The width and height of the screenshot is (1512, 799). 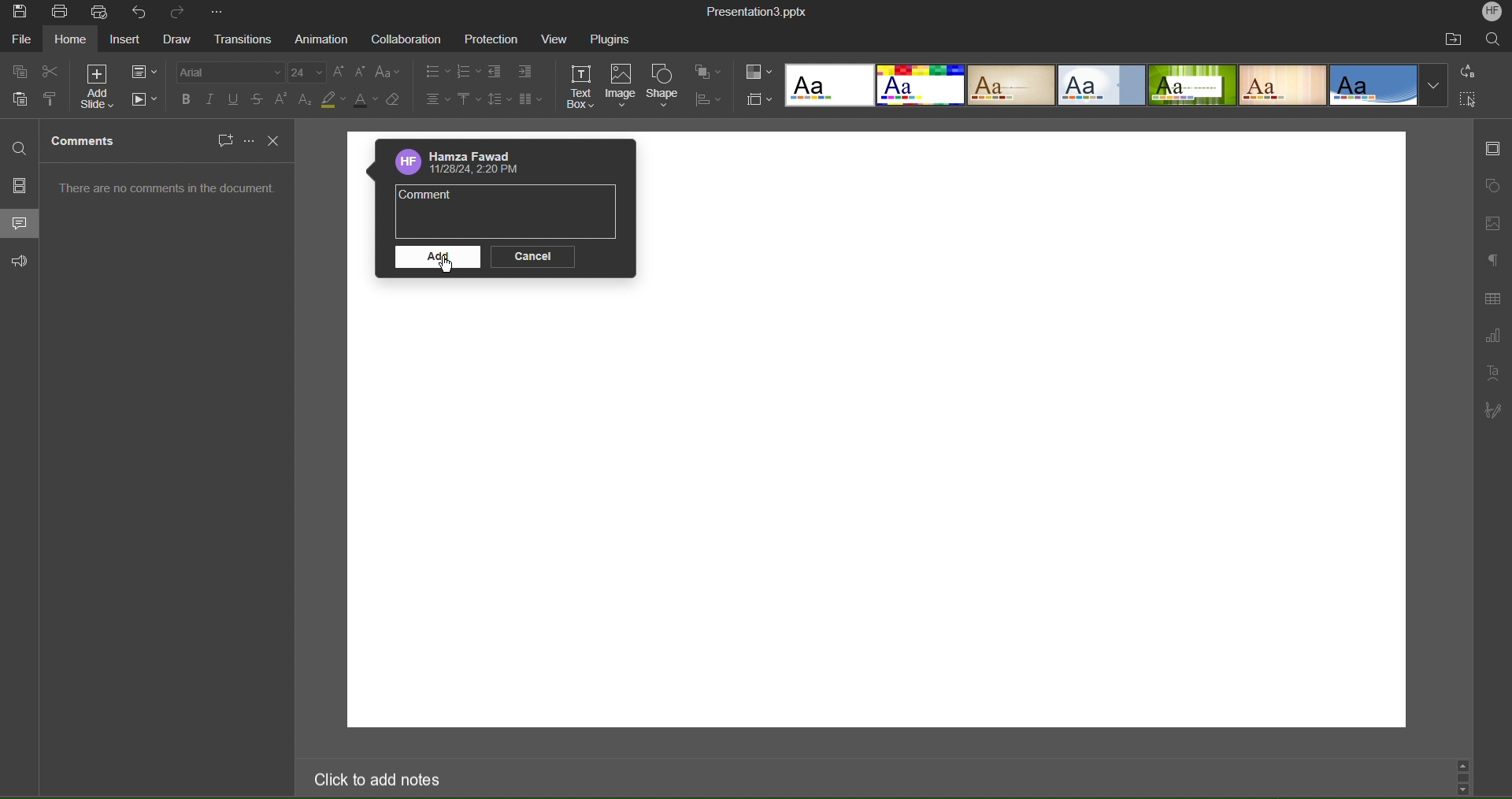 What do you see at coordinates (234, 99) in the screenshot?
I see `Underline` at bounding box center [234, 99].